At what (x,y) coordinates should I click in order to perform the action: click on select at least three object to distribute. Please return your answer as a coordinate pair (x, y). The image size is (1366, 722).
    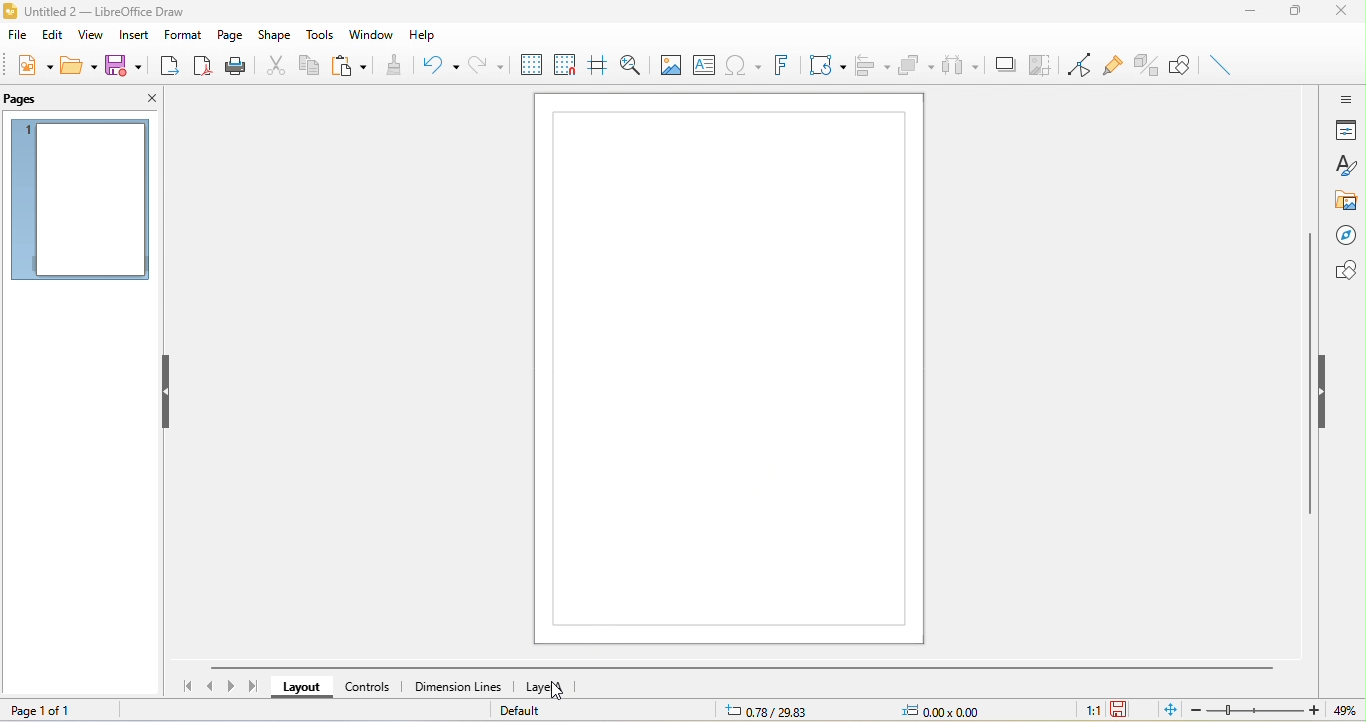
    Looking at the image, I should click on (960, 62).